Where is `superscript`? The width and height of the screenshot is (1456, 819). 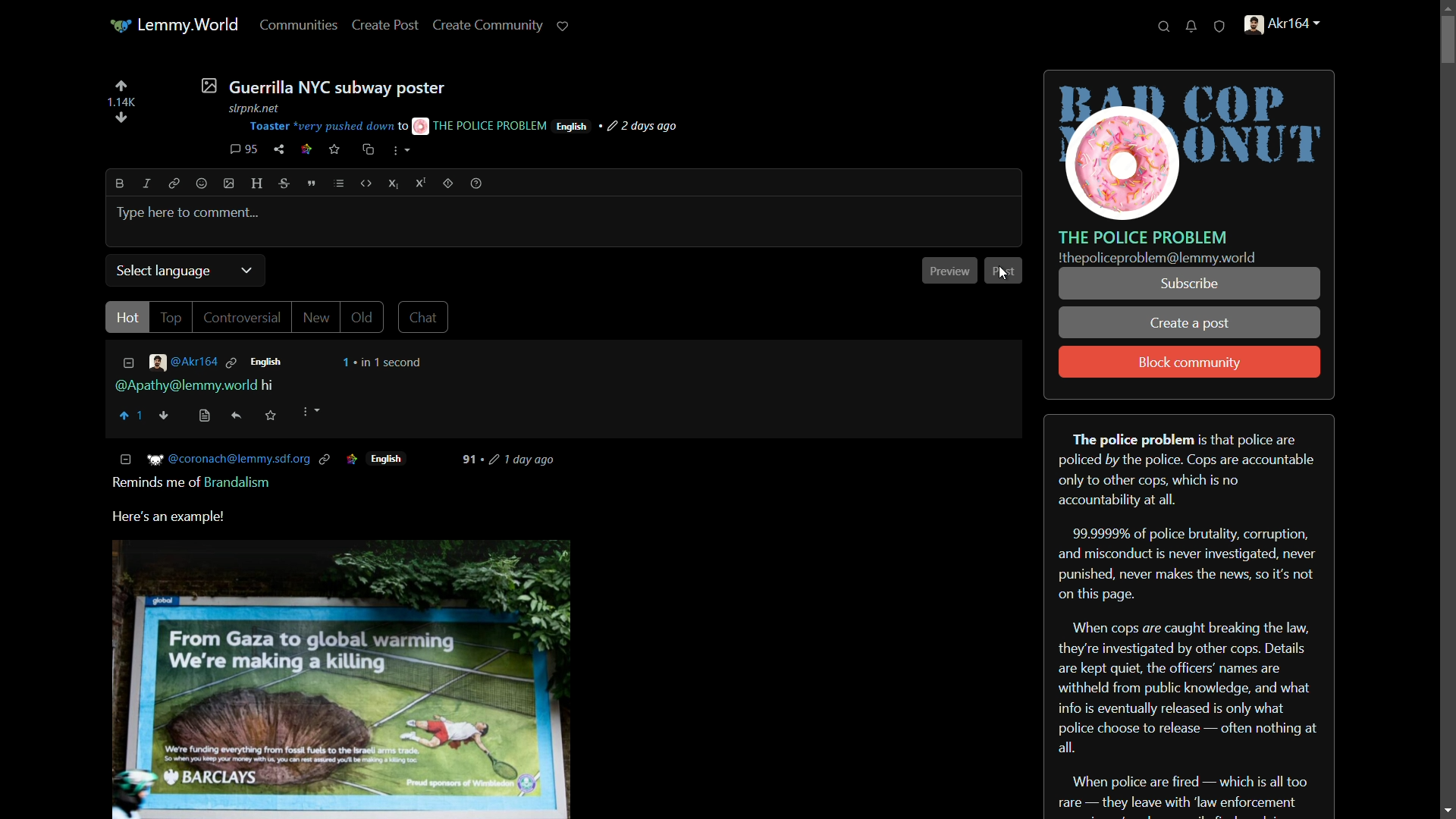
superscript is located at coordinates (421, 183).